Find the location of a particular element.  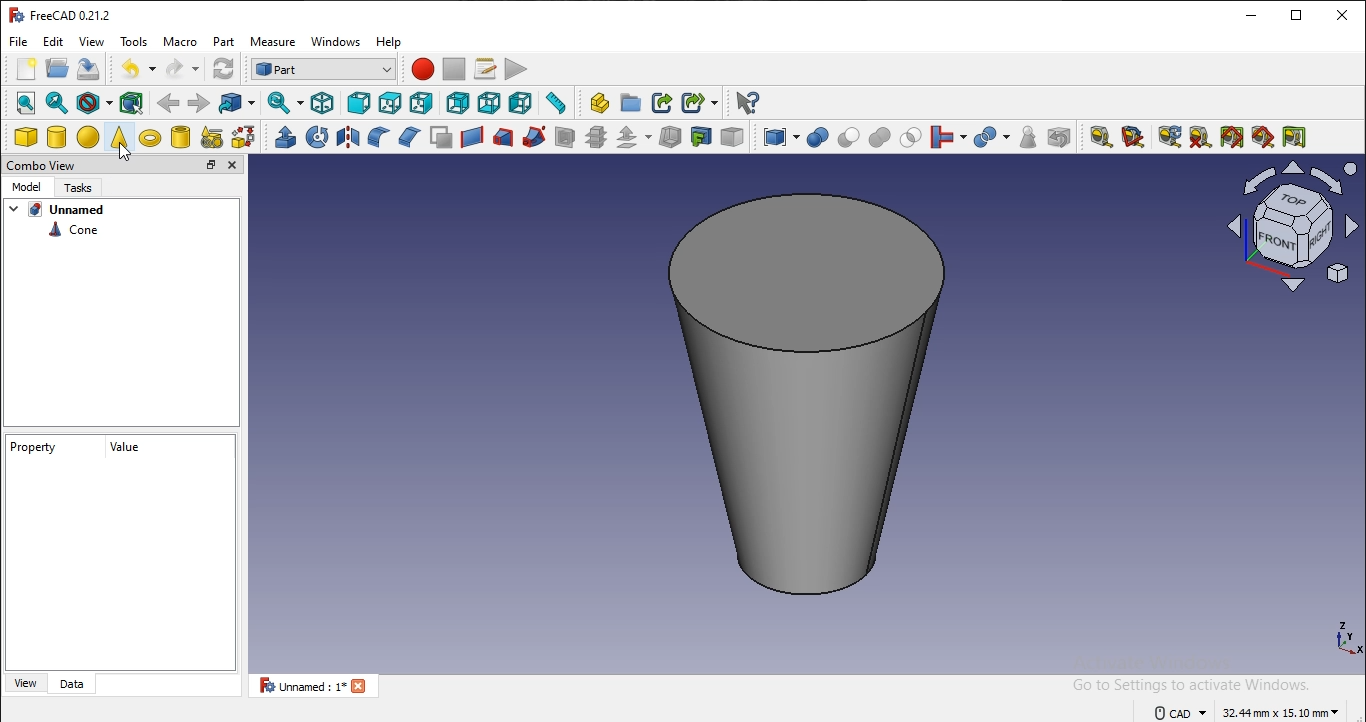

torus is located at coordinates (150, 138).